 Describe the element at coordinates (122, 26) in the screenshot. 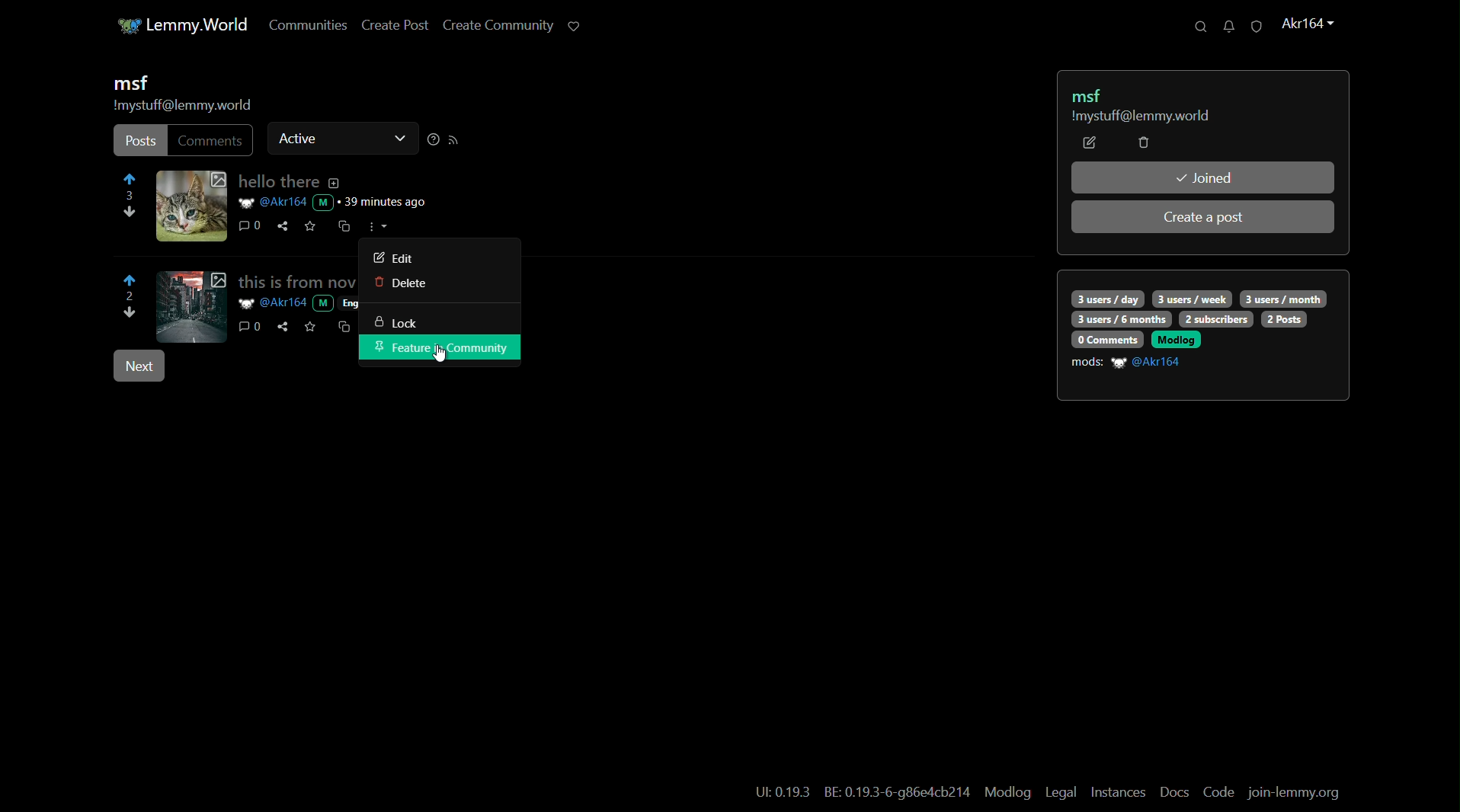

I see `icon` at that location.